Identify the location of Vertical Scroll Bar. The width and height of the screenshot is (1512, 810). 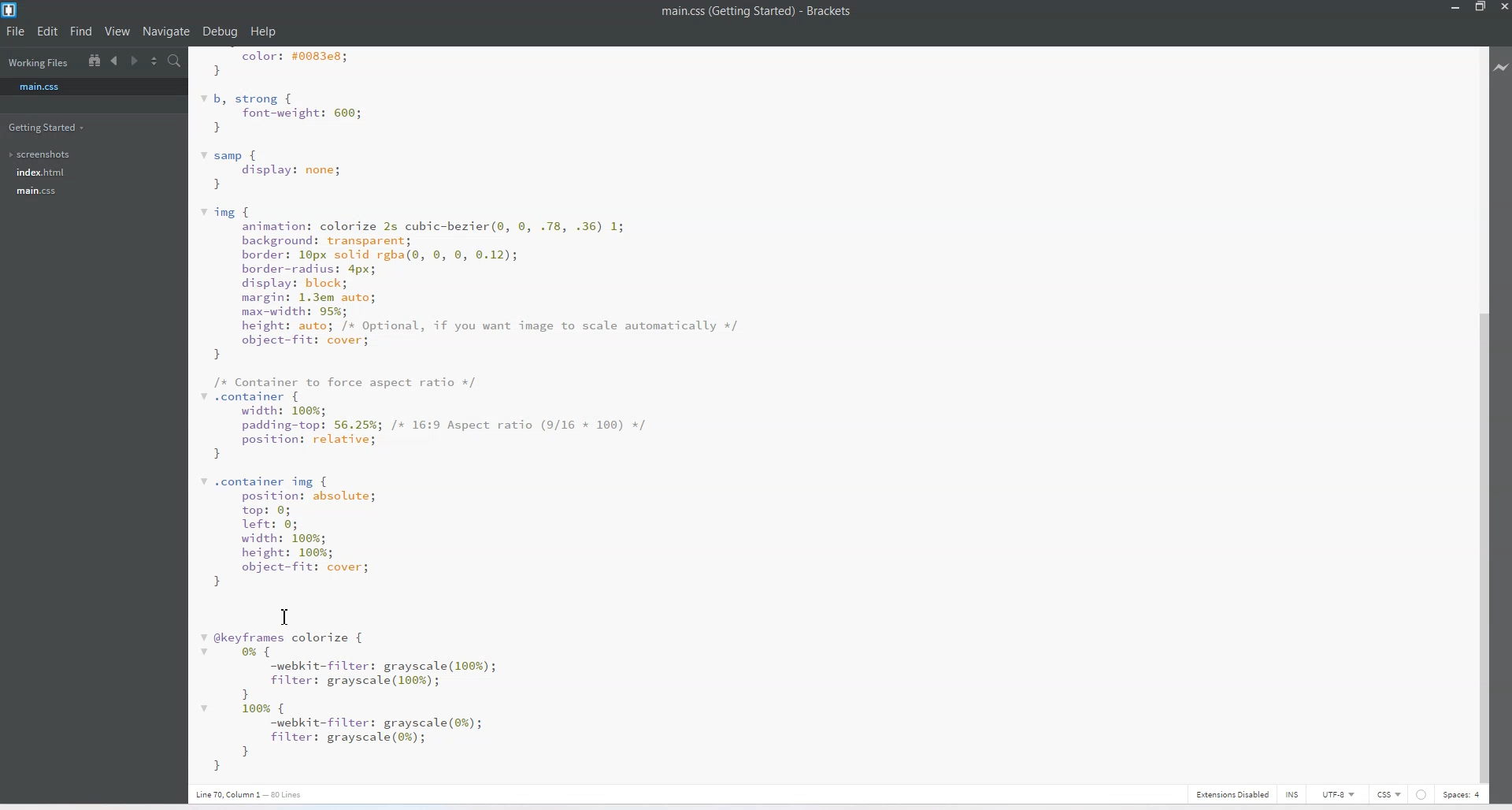
(1480, 412).